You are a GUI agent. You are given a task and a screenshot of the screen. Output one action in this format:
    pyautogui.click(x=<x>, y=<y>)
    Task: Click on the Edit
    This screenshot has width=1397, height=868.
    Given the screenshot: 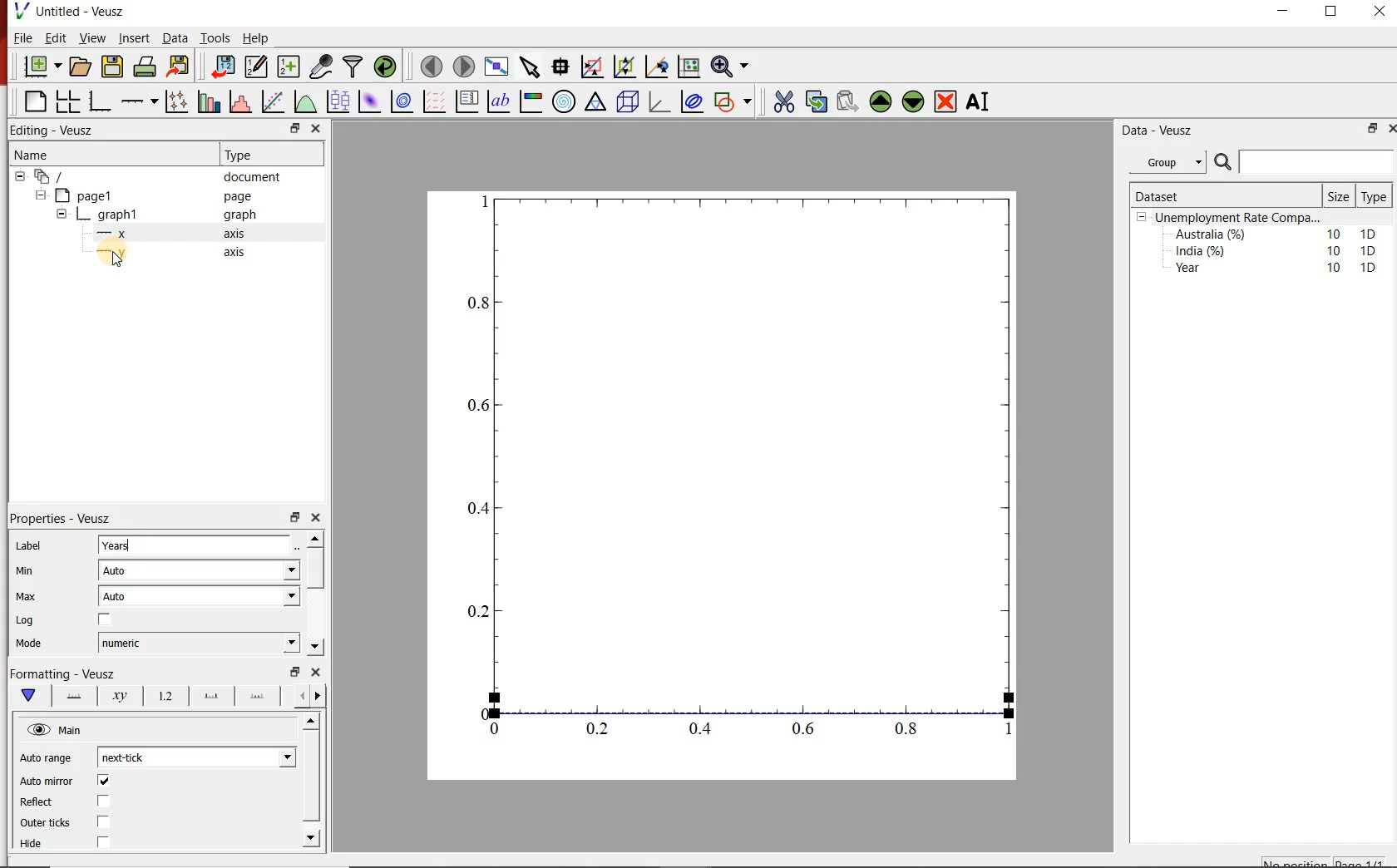 What is the action you would take?
    pyautogui.click(x=53, y=37)
    